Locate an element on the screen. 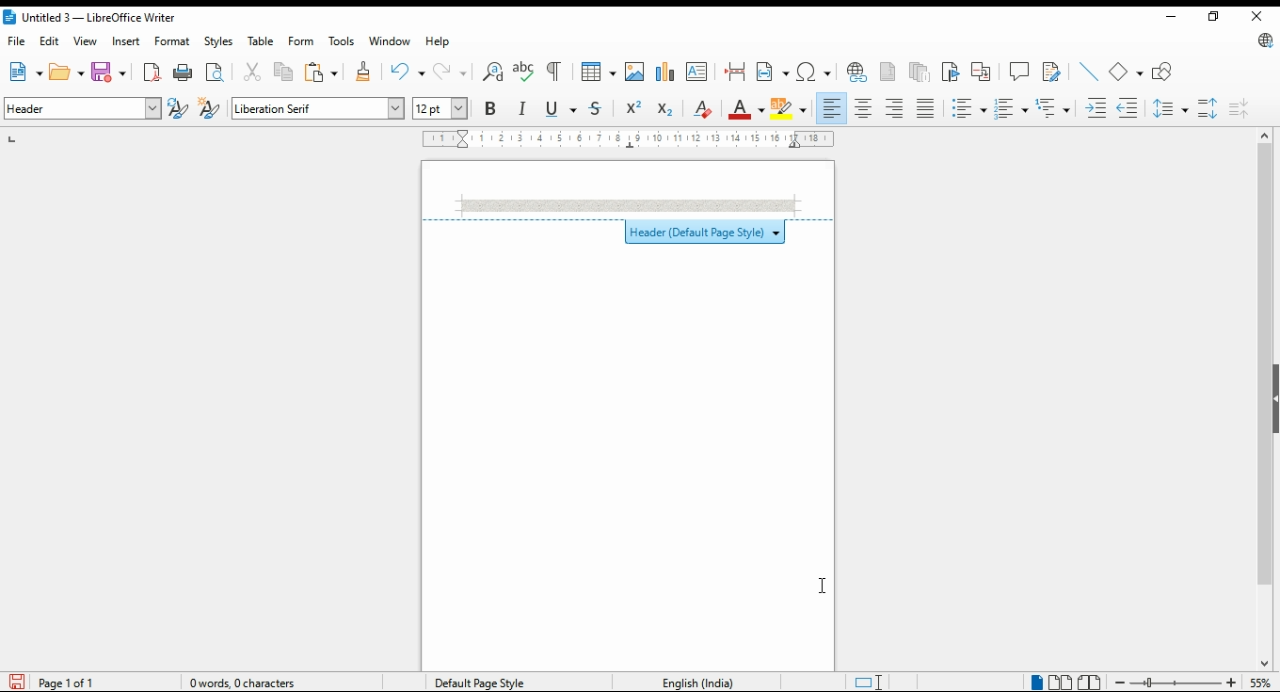 Image resolution: width=1280 pixels, height=692 pixels. form is located at coordinates (300, 40).